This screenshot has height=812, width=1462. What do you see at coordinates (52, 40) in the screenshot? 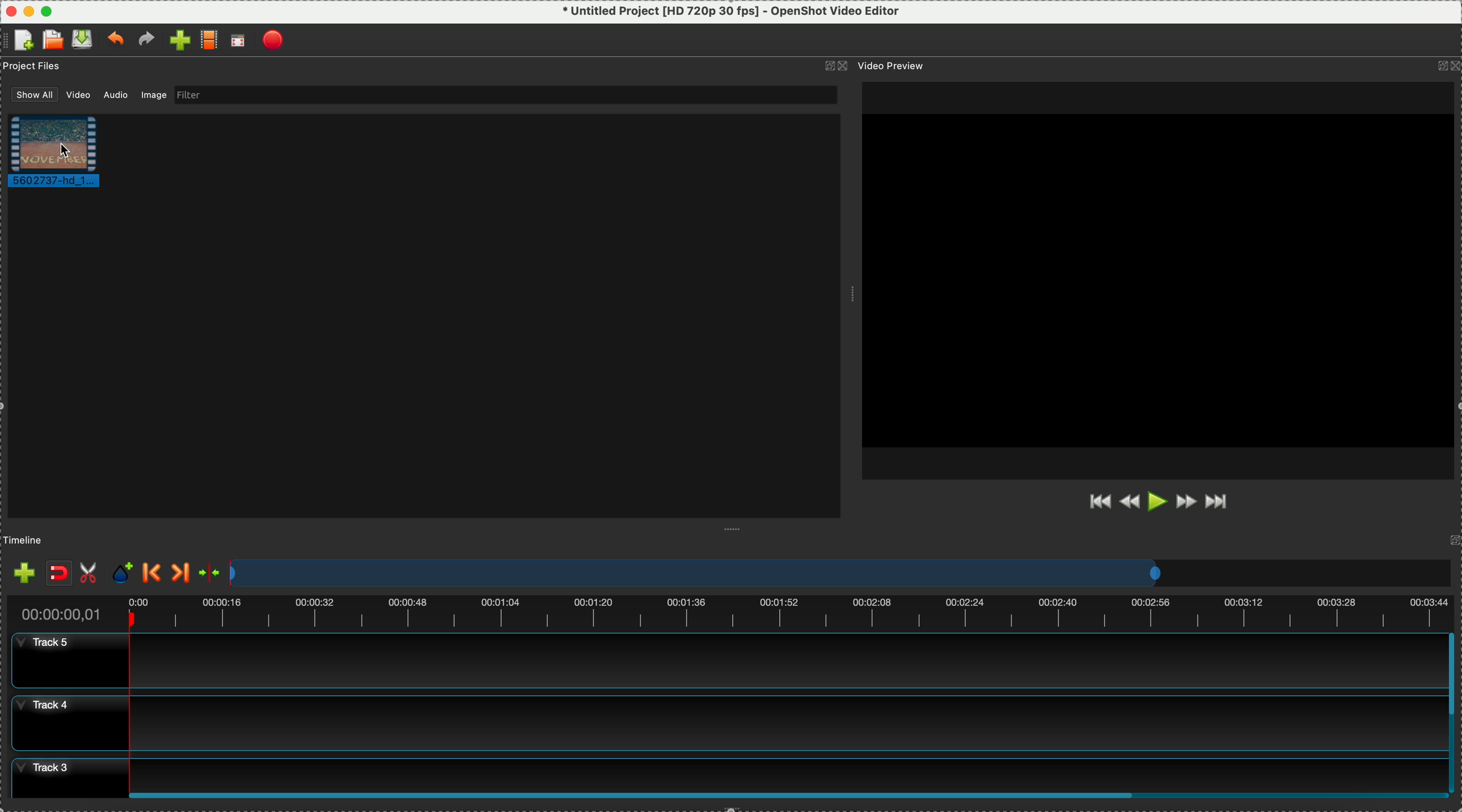
I see `open a recent file` at bounding box center [52, 40].